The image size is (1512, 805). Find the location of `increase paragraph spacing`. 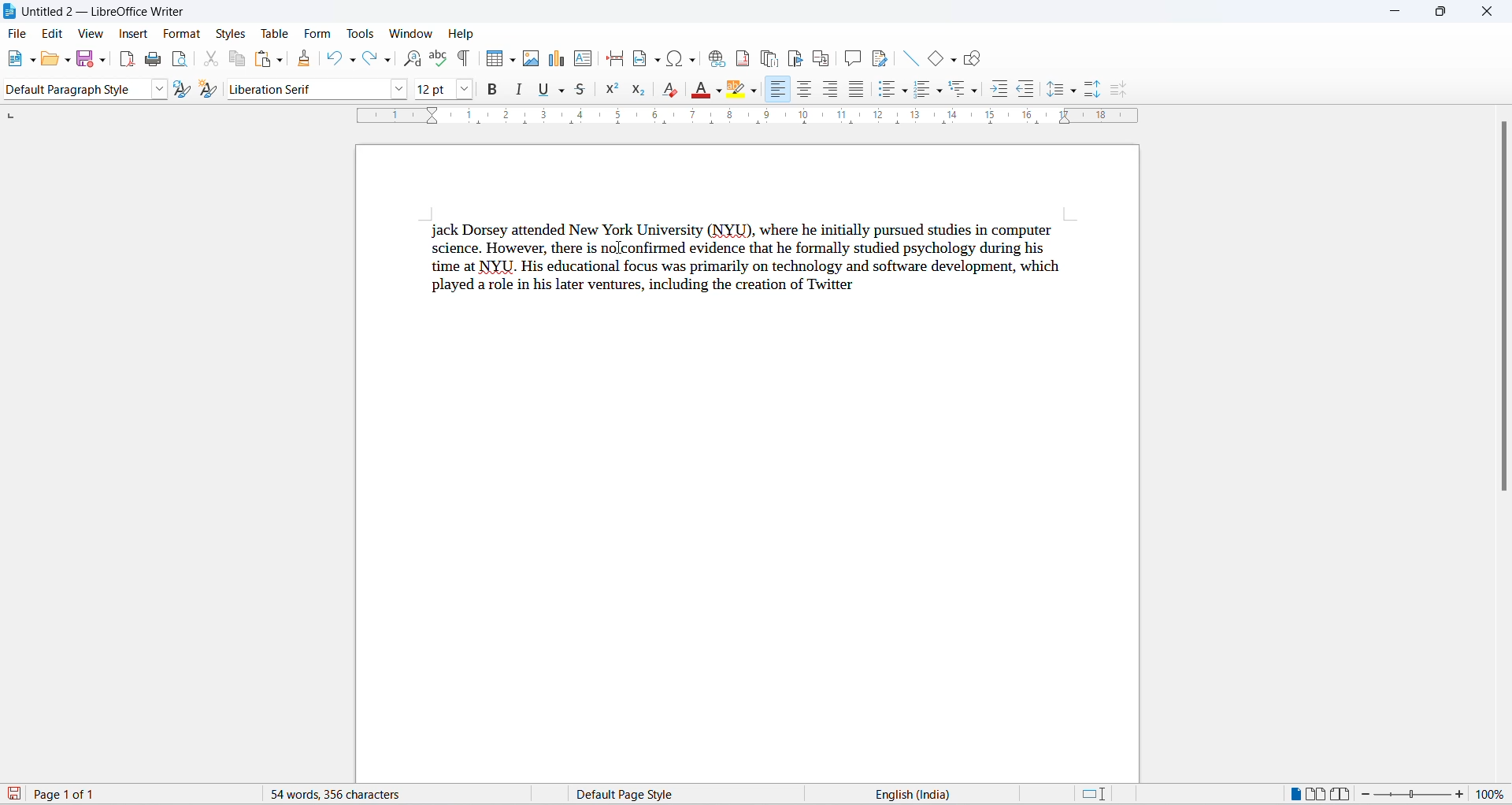

increase paragraph spacing is located at coordinates (1091, 89).